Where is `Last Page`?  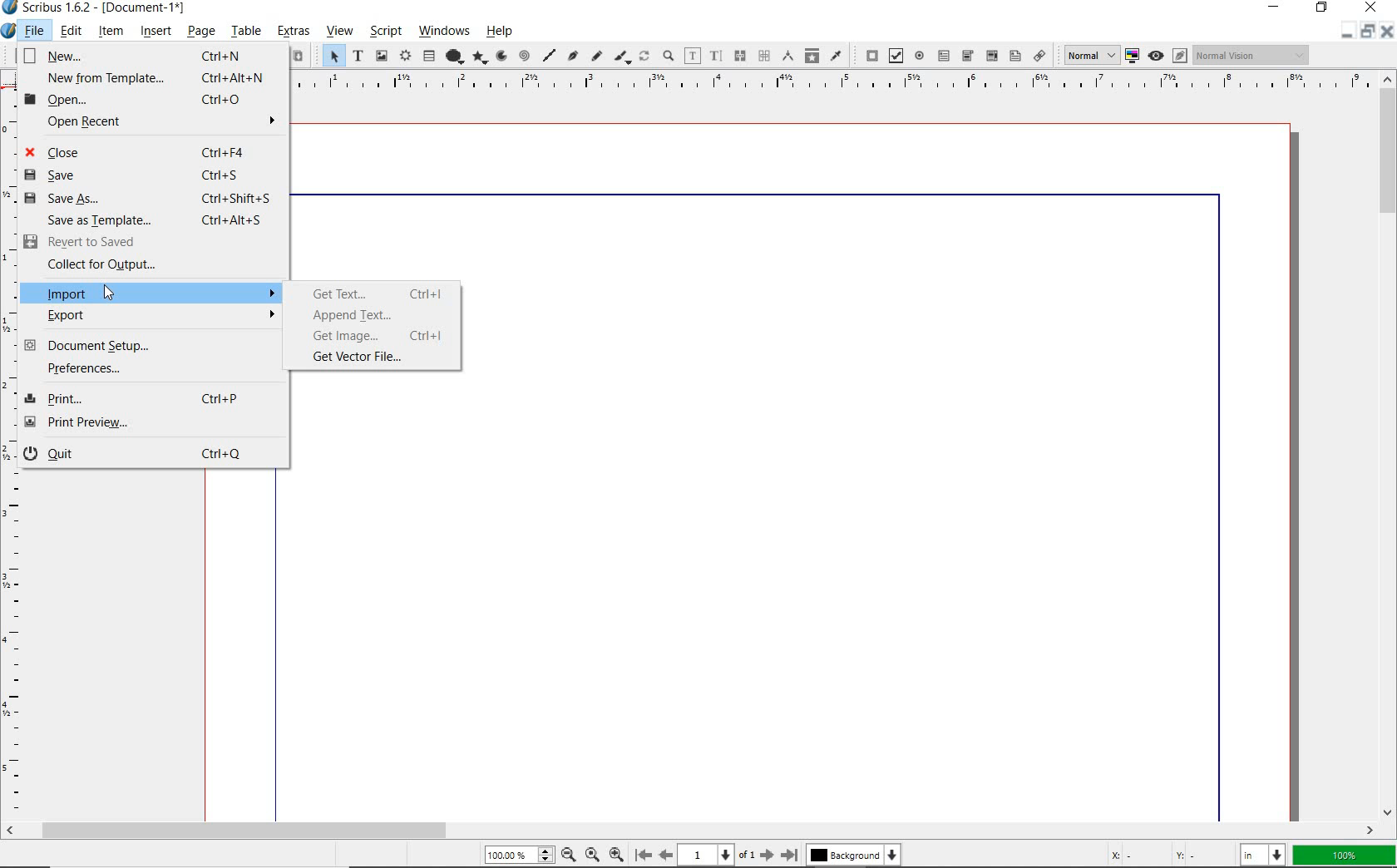
Last Page is located at coordinates (790, 855).